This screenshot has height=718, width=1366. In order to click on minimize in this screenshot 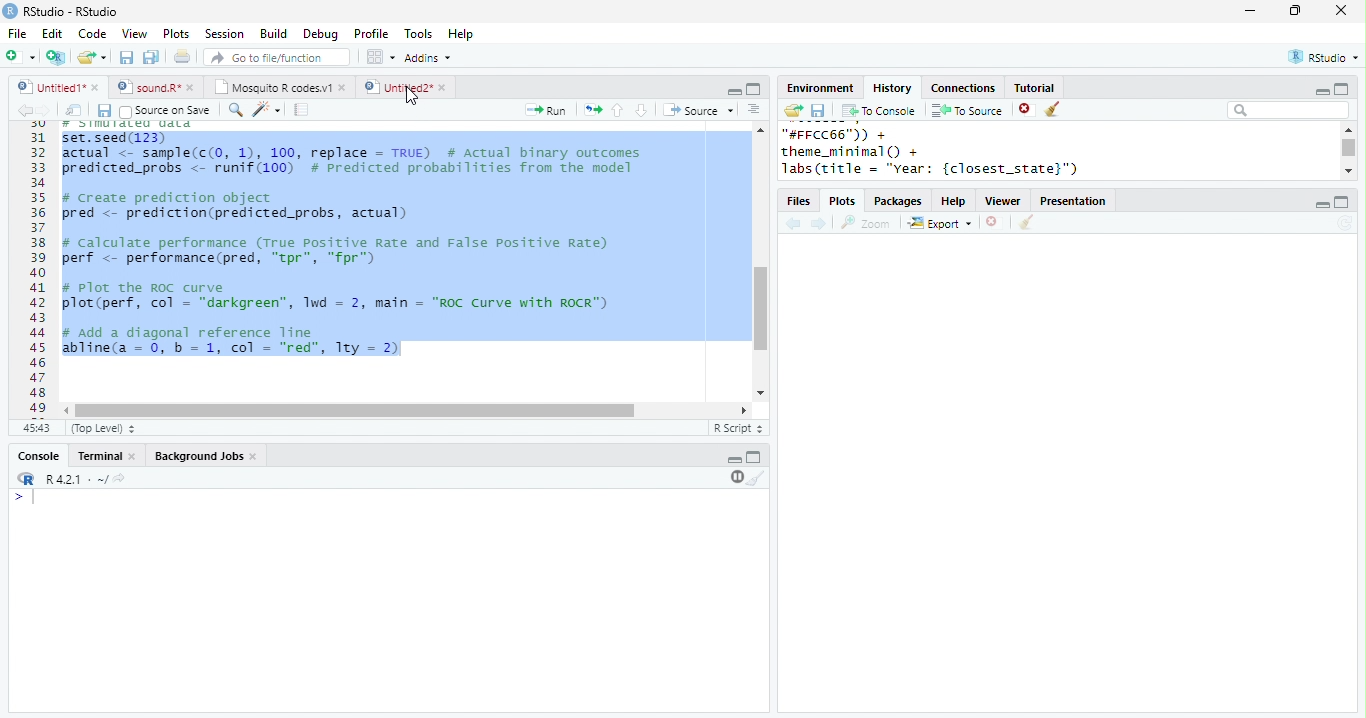, I will do `click(1249, 10)`.